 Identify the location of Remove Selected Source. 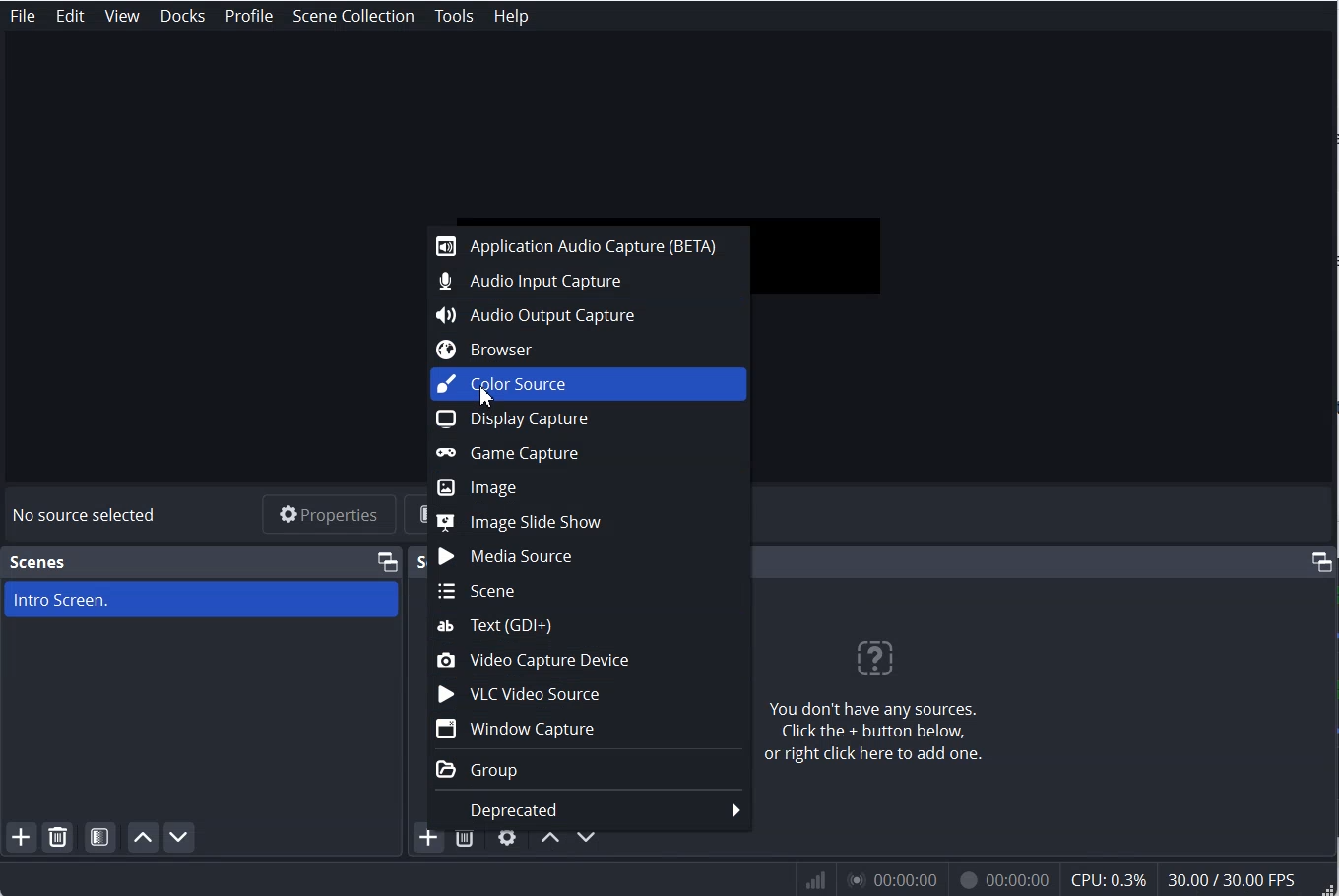
(465, 841).